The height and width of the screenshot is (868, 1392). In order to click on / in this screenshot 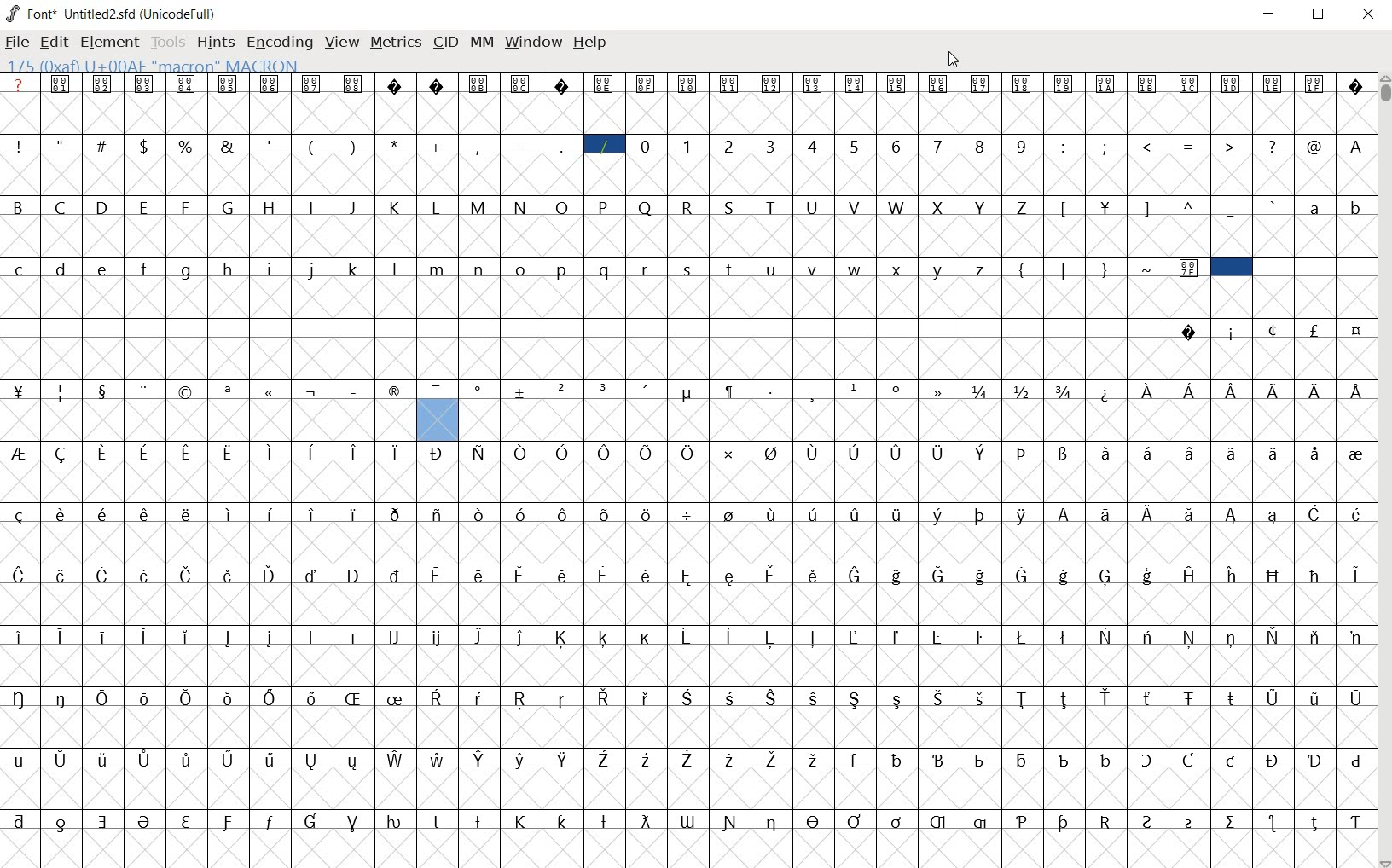, I will do `click(604, 144)`.